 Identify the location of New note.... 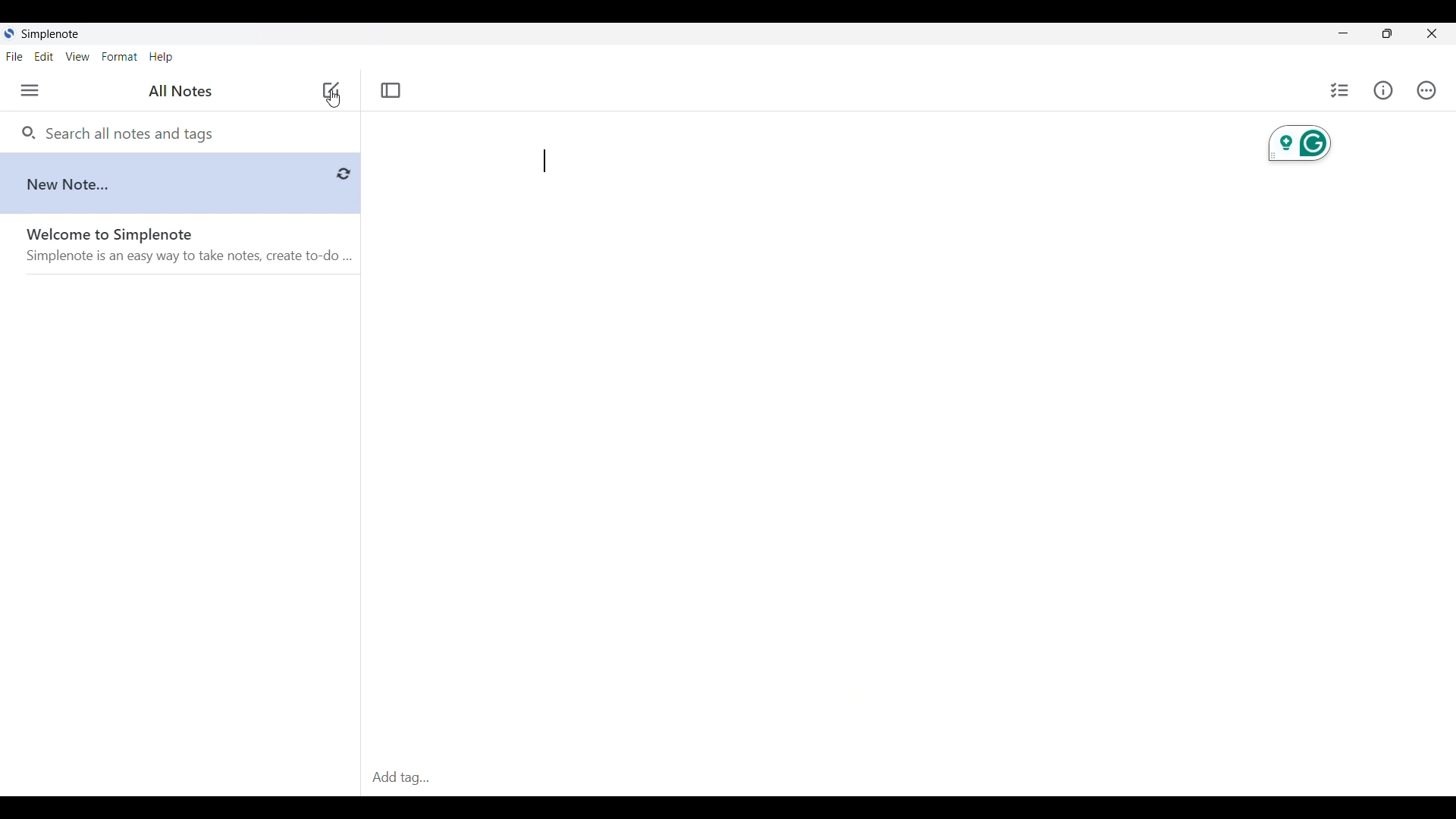
(181, 180).